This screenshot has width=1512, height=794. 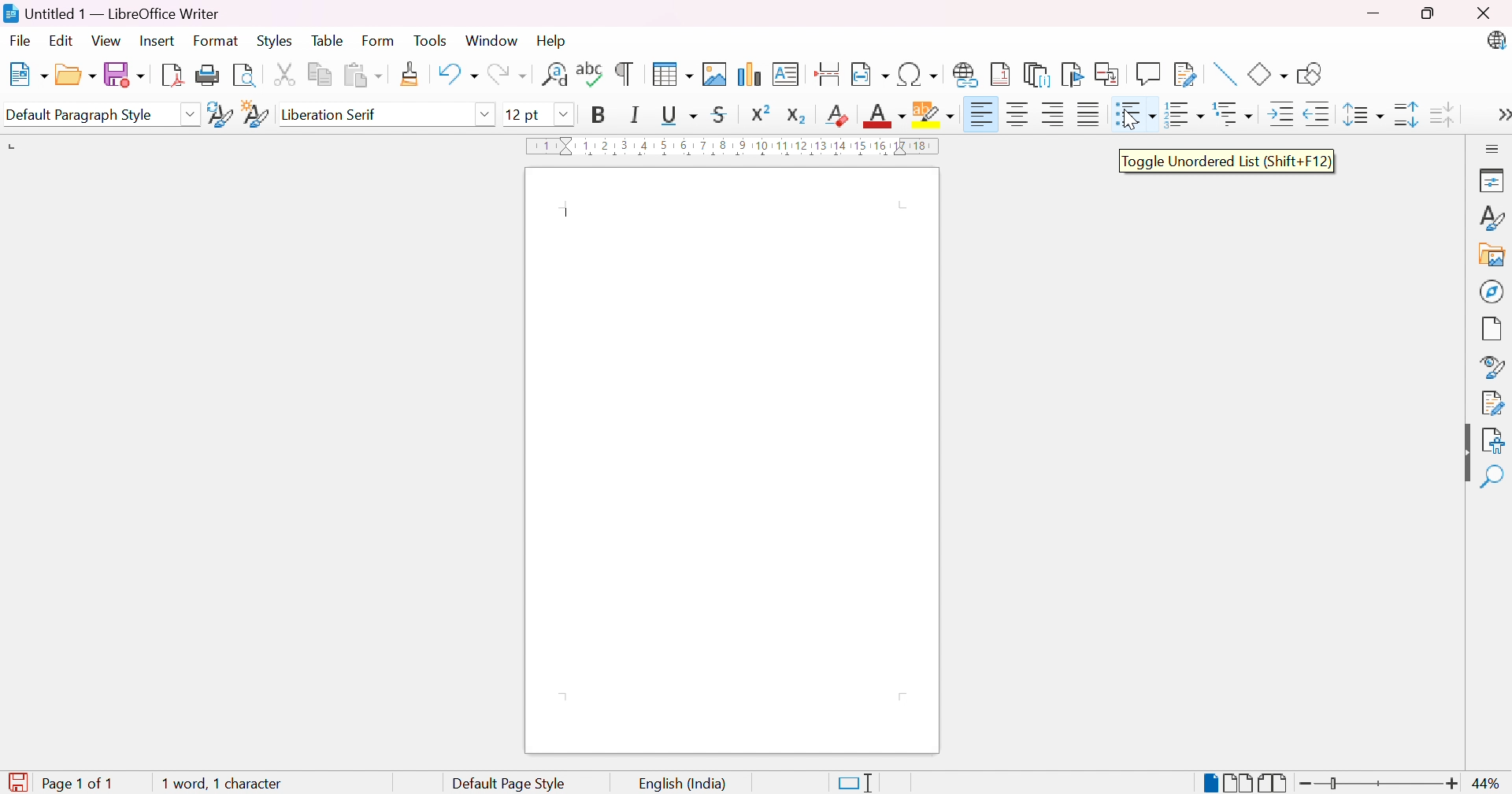 I want to click on Zoom out, so click(x=1299, y=784).